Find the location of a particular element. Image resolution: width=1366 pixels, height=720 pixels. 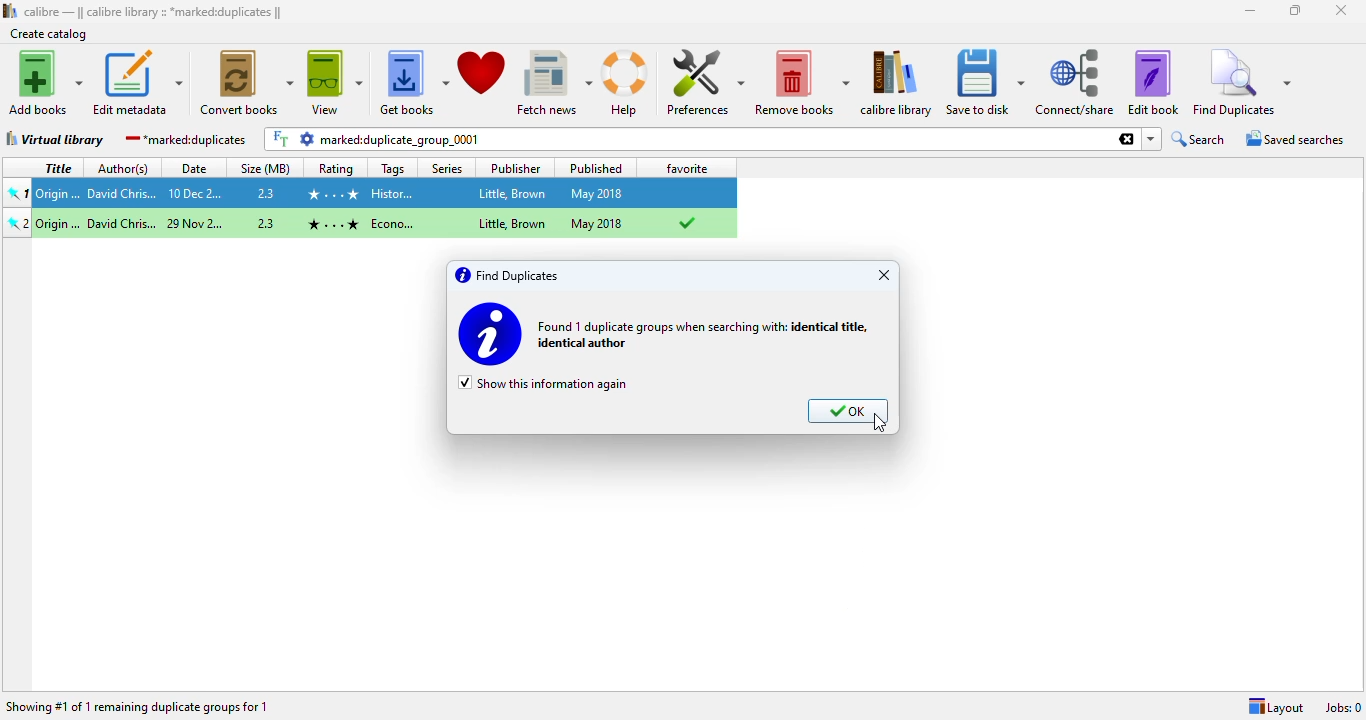

convert books is located at coordinates (244, 83).